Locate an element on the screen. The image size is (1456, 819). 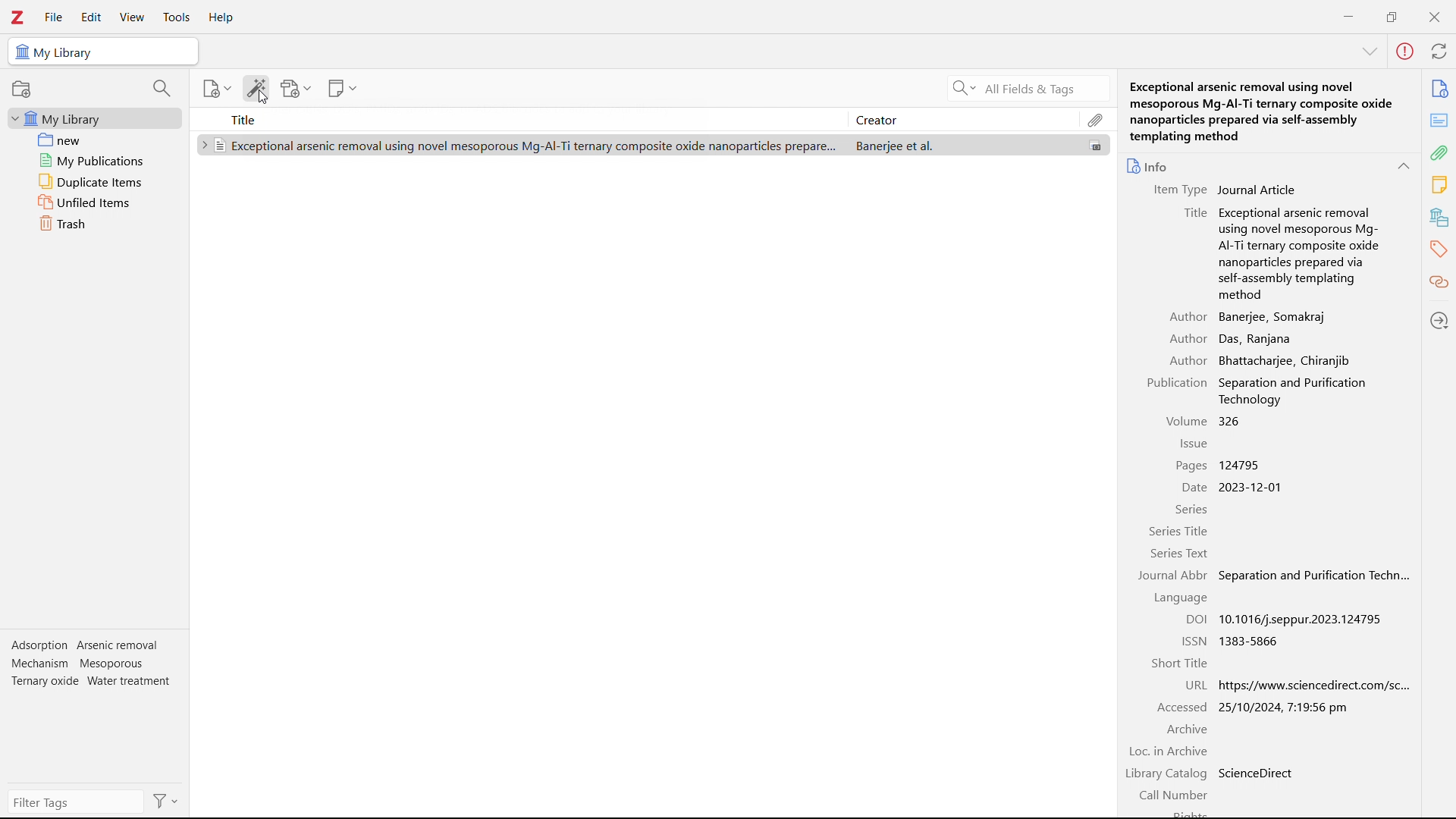
http://www.sciencedirect.com/sc... is located at coordinates (1326, 685).